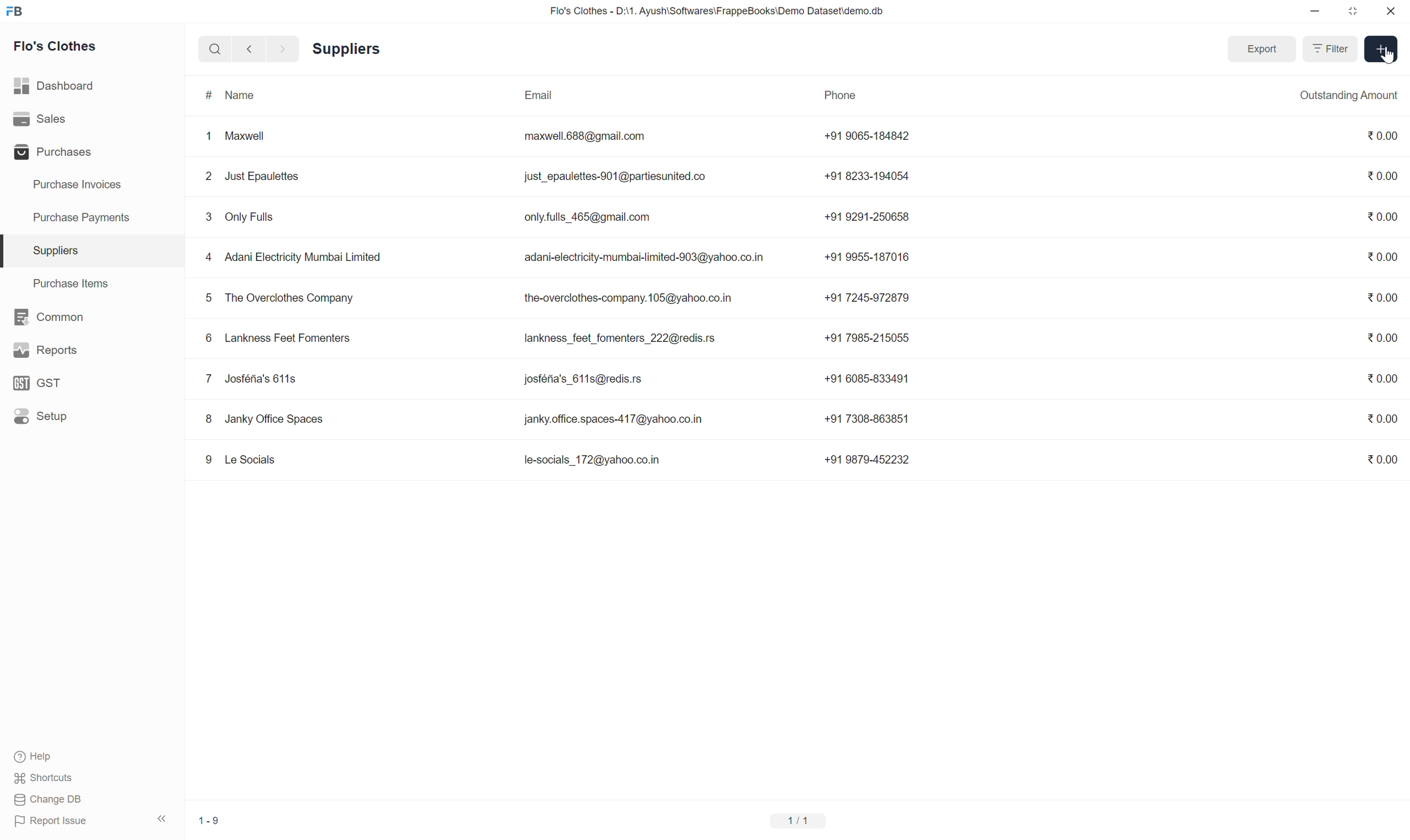 The image size is (1410, 840). What do you see at coordinates (1381, 49) in the screenshot?
I see `Add new Purchase Invoice` at bounding box center [1381, 49].